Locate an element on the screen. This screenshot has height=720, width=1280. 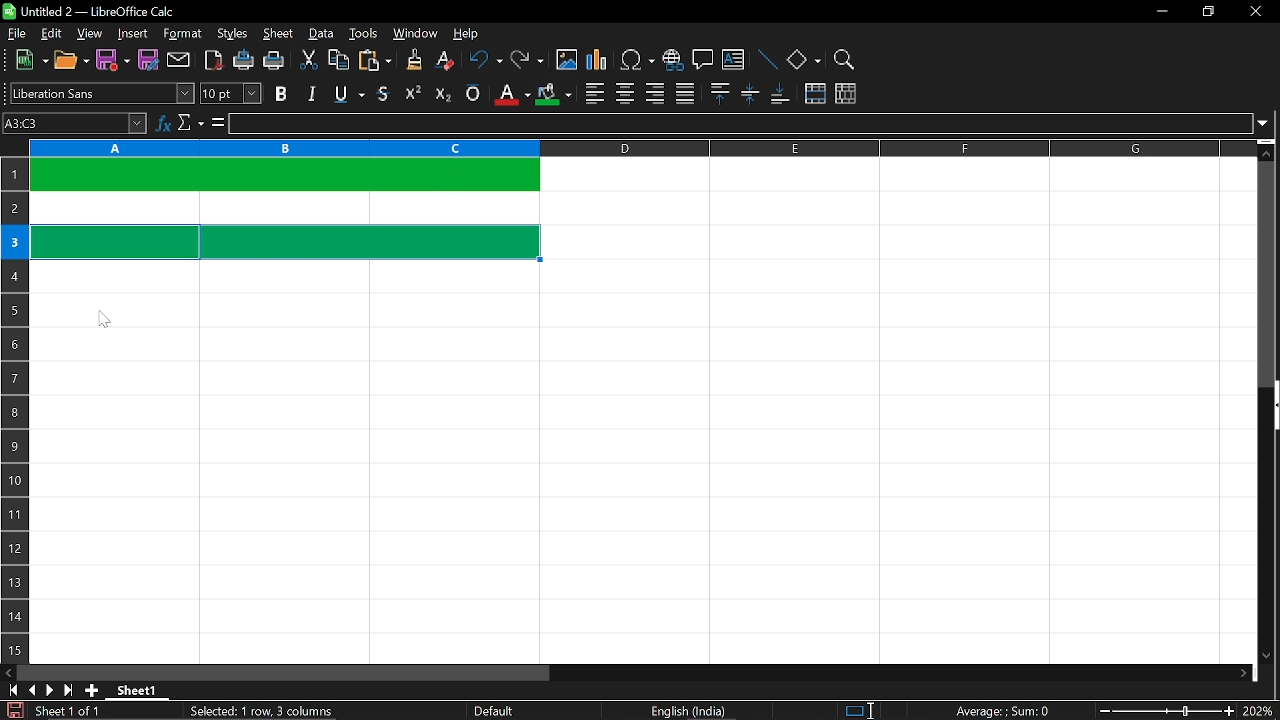
cell color is located at coordinates (553, 95).